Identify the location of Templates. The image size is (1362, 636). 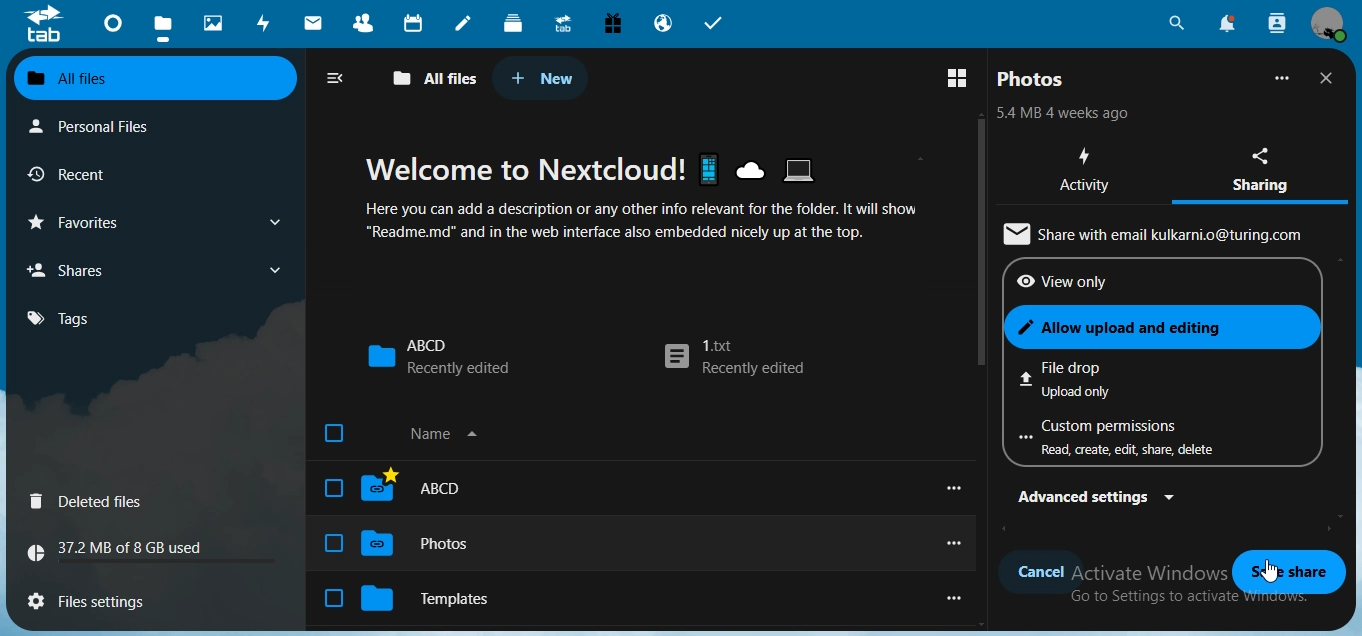
(411, 598).